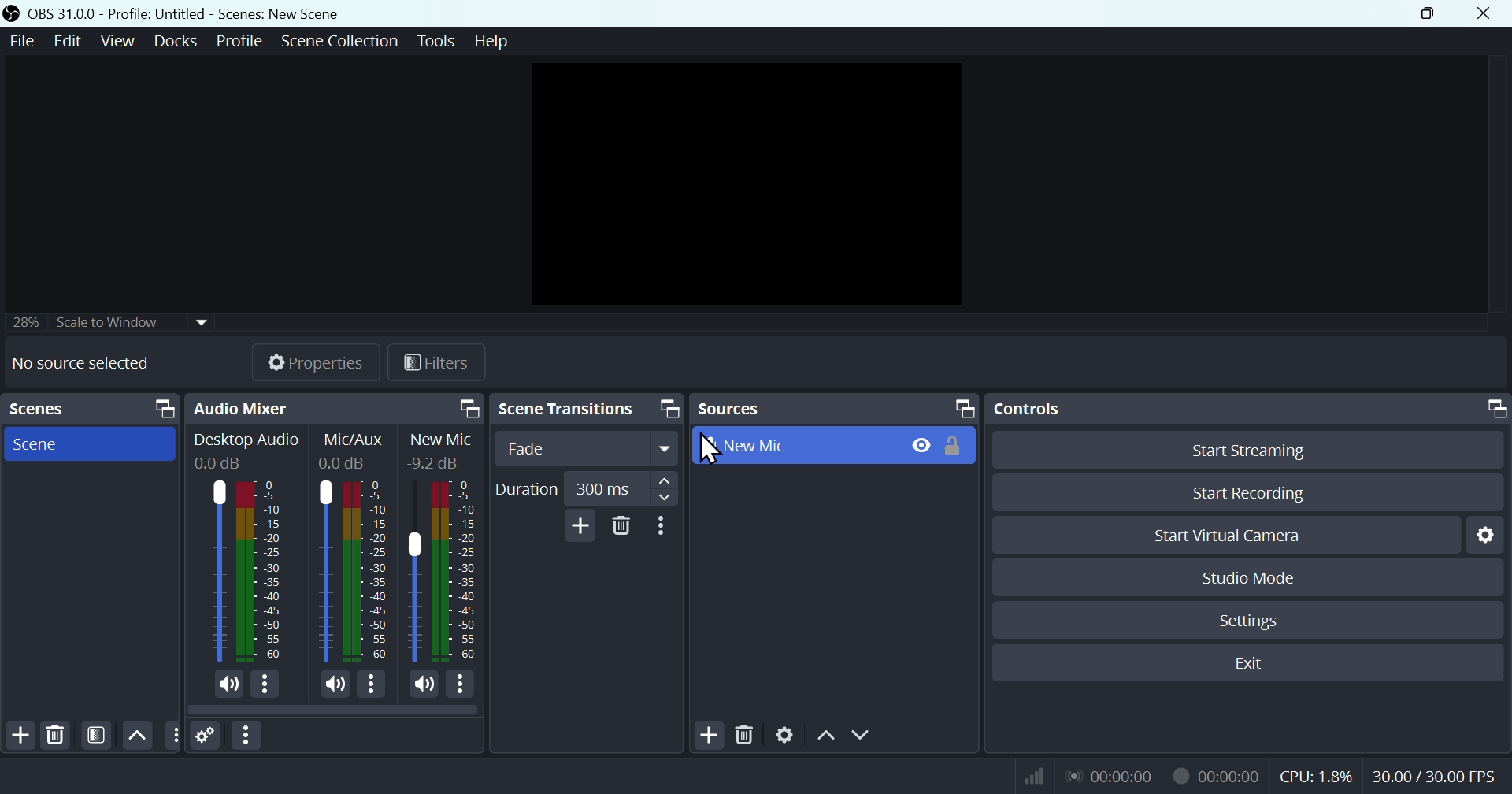  What do you see at coordinates (746, 734) in the screenshot?
I see `Delete` at bounding box center [746, 734].